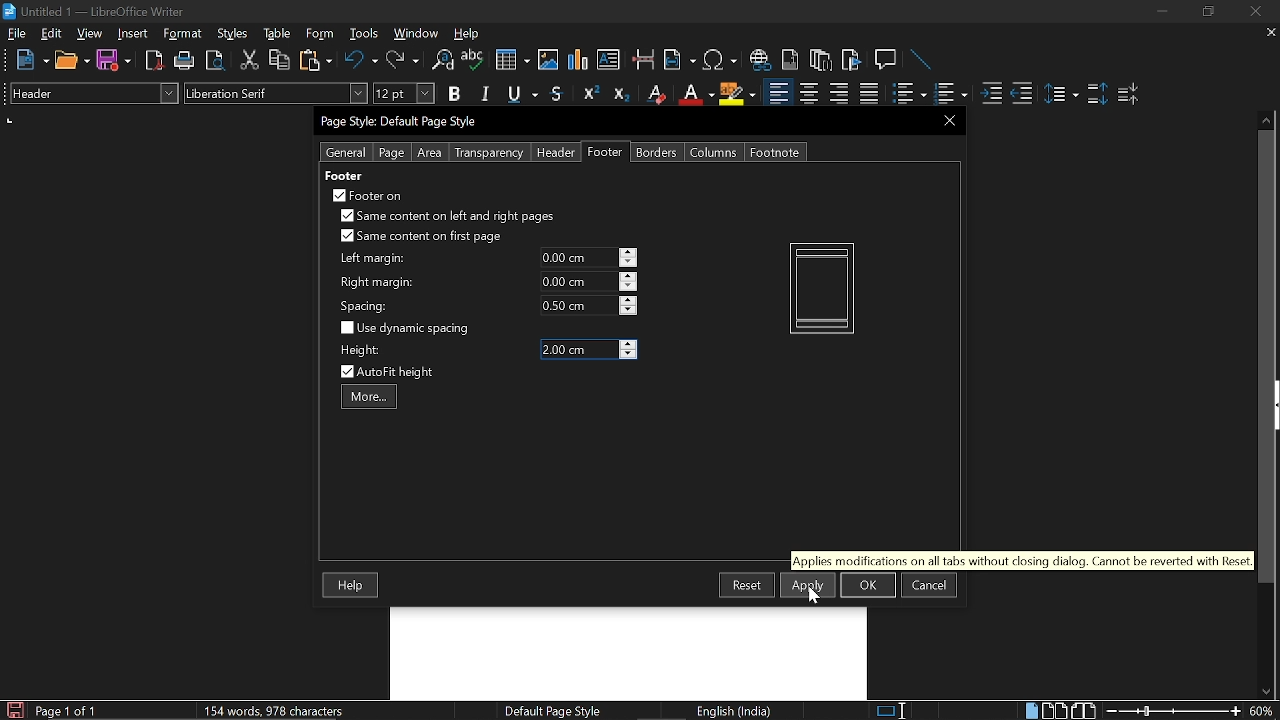 This screenshot has width=1280, height=720. What do you see at coordinates (808, 93) in the screenshot?
I see `Center` at bounding box center [808, 93].